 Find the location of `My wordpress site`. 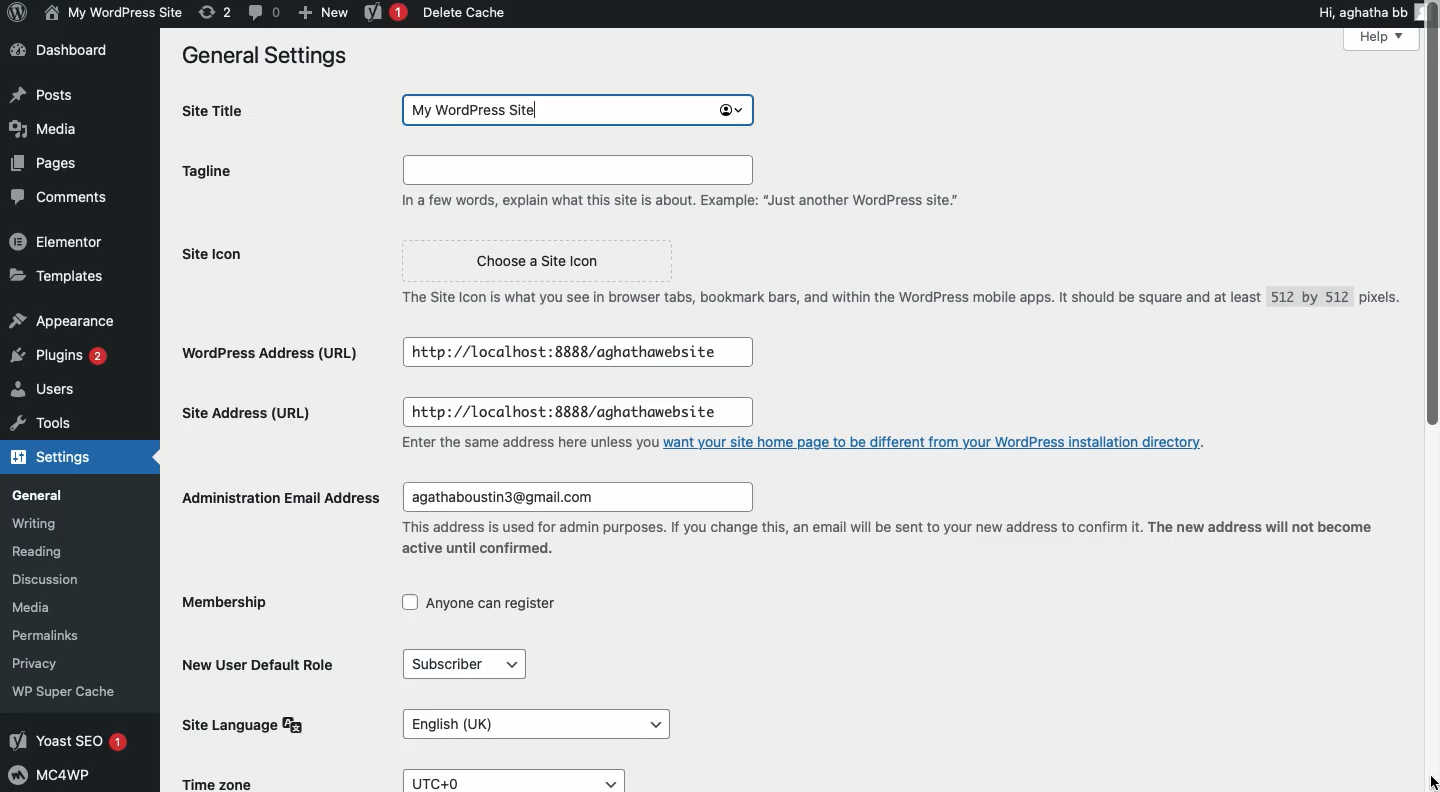

My wordpress site is located at coordinates (575, 112).